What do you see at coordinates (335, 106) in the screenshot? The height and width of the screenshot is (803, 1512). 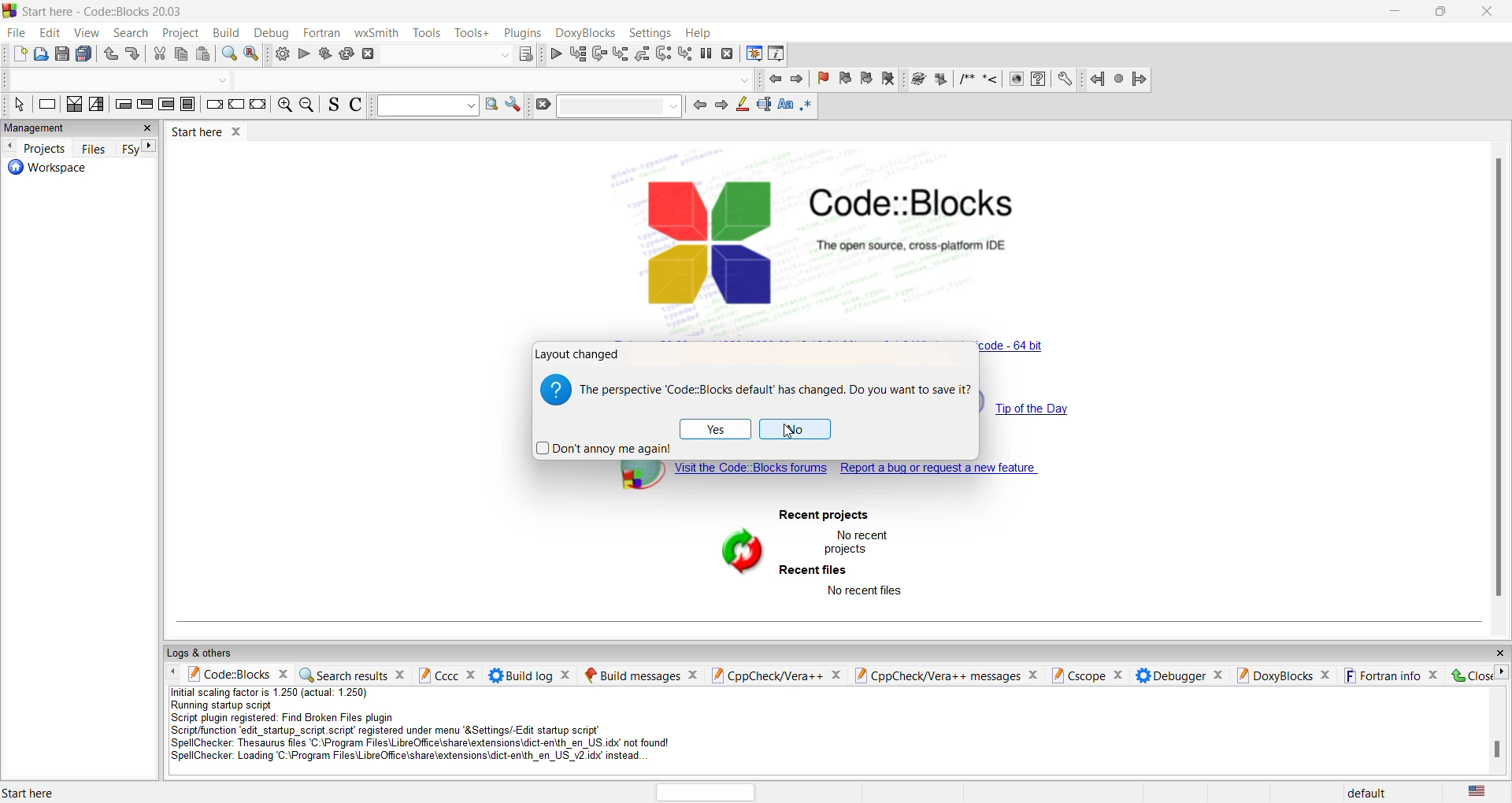 I see `source comments` at bounding box center [335, 106].